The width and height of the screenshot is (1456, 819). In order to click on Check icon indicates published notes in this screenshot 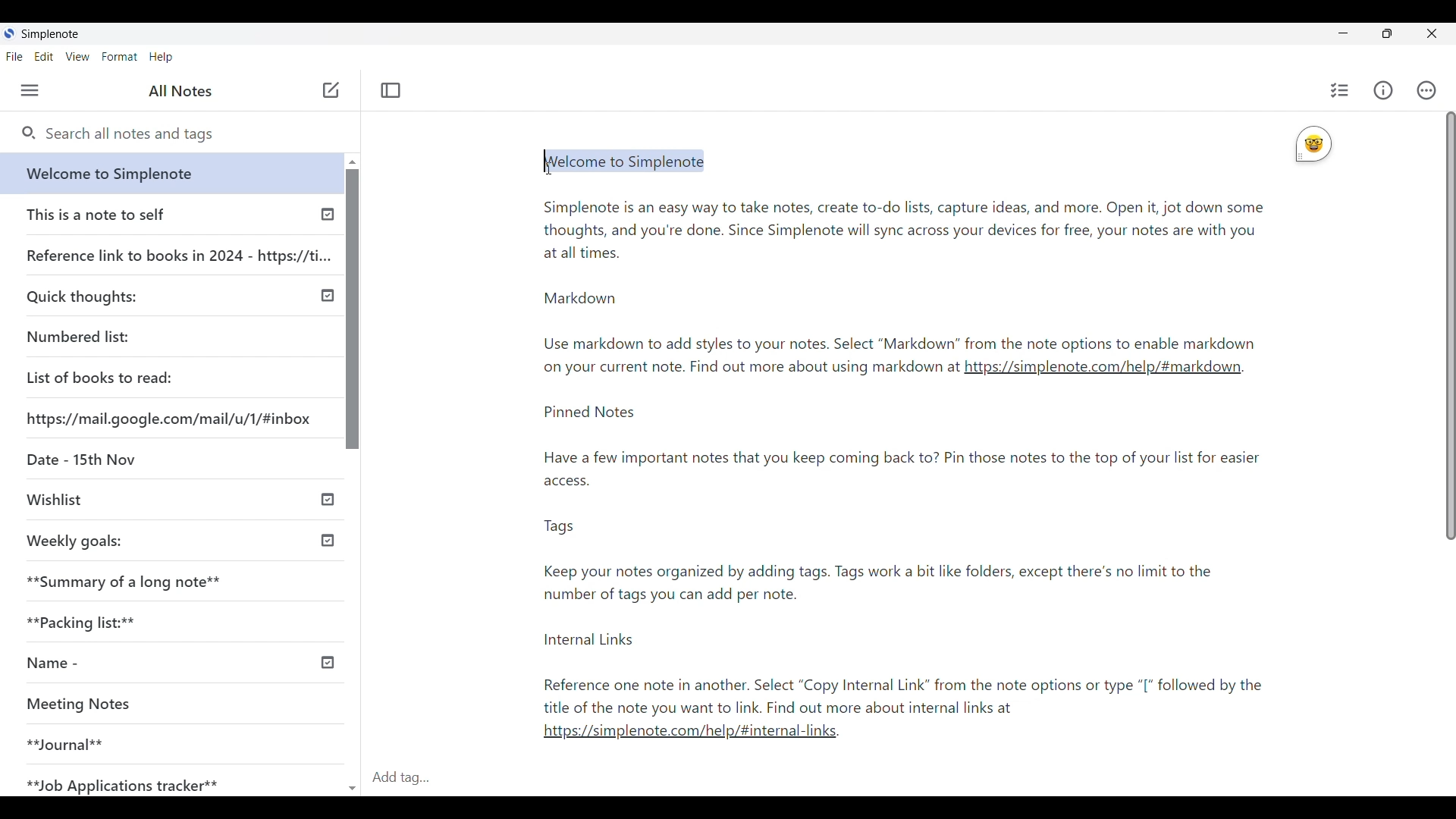, I will do `click(329, 500)`.